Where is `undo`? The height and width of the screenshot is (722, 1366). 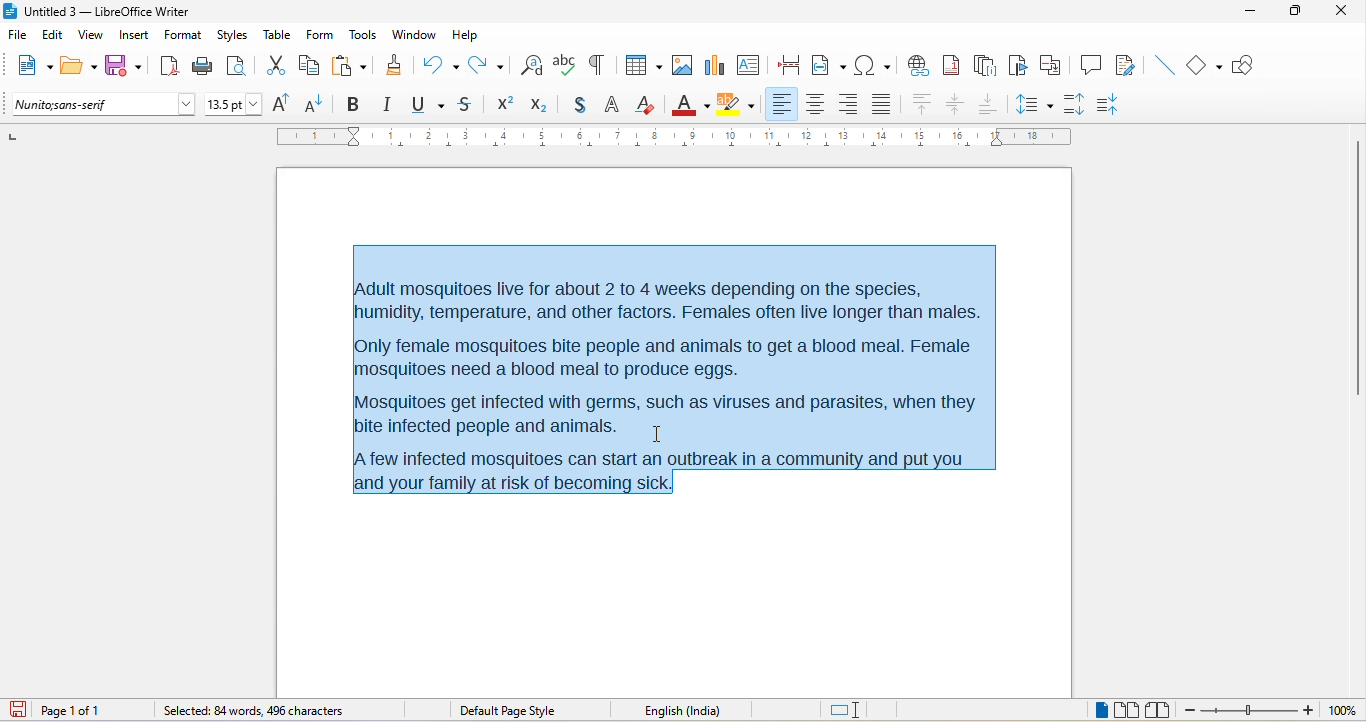 undo is located at coordinates (440, 62).